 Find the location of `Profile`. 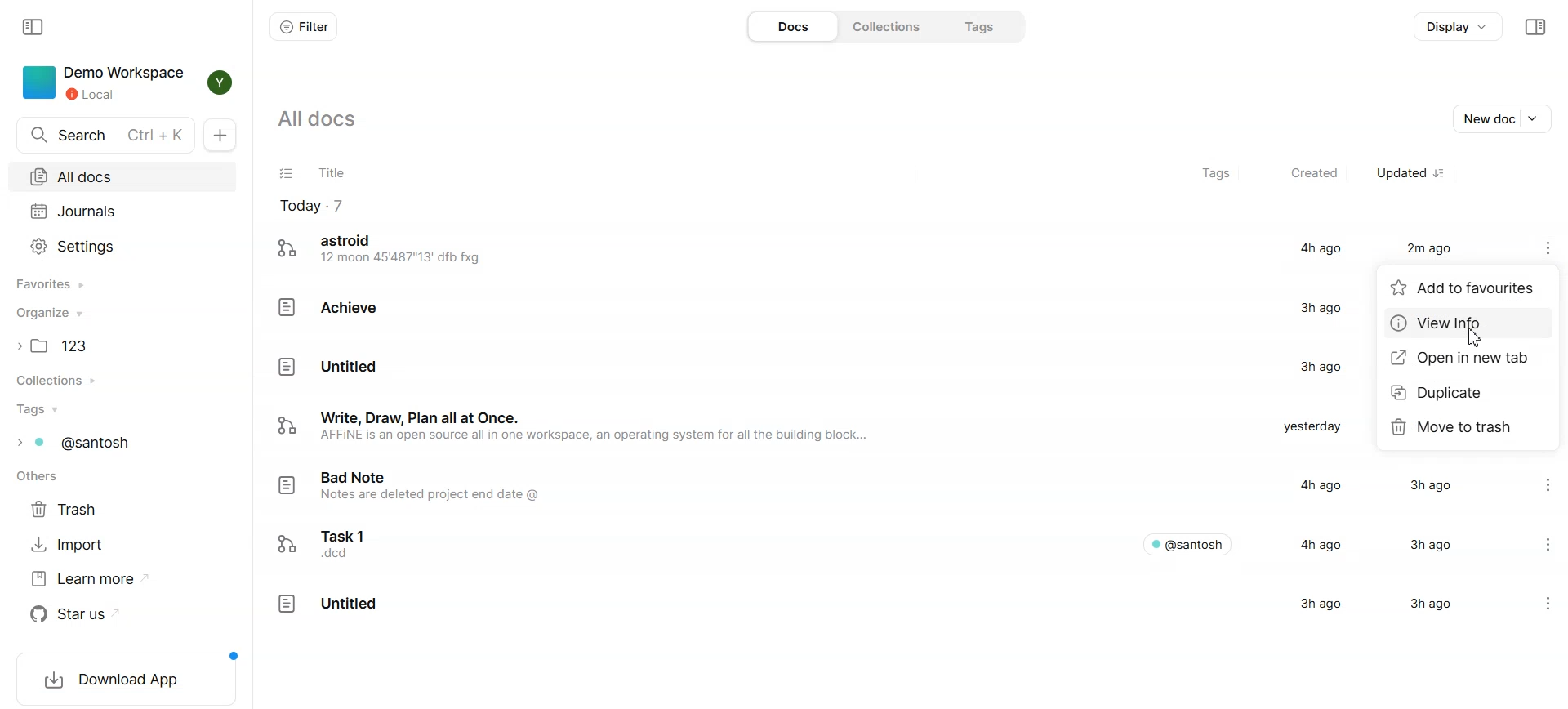

Profile is located at coordinates (222, 83).